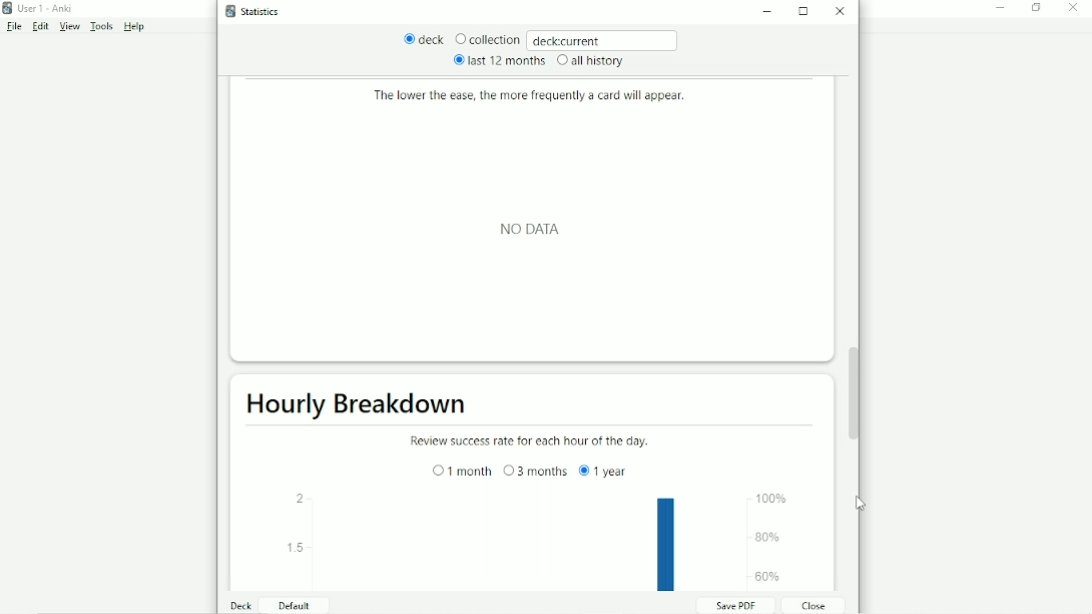  I want to click on User 1 - Anki, so click(45, 8).